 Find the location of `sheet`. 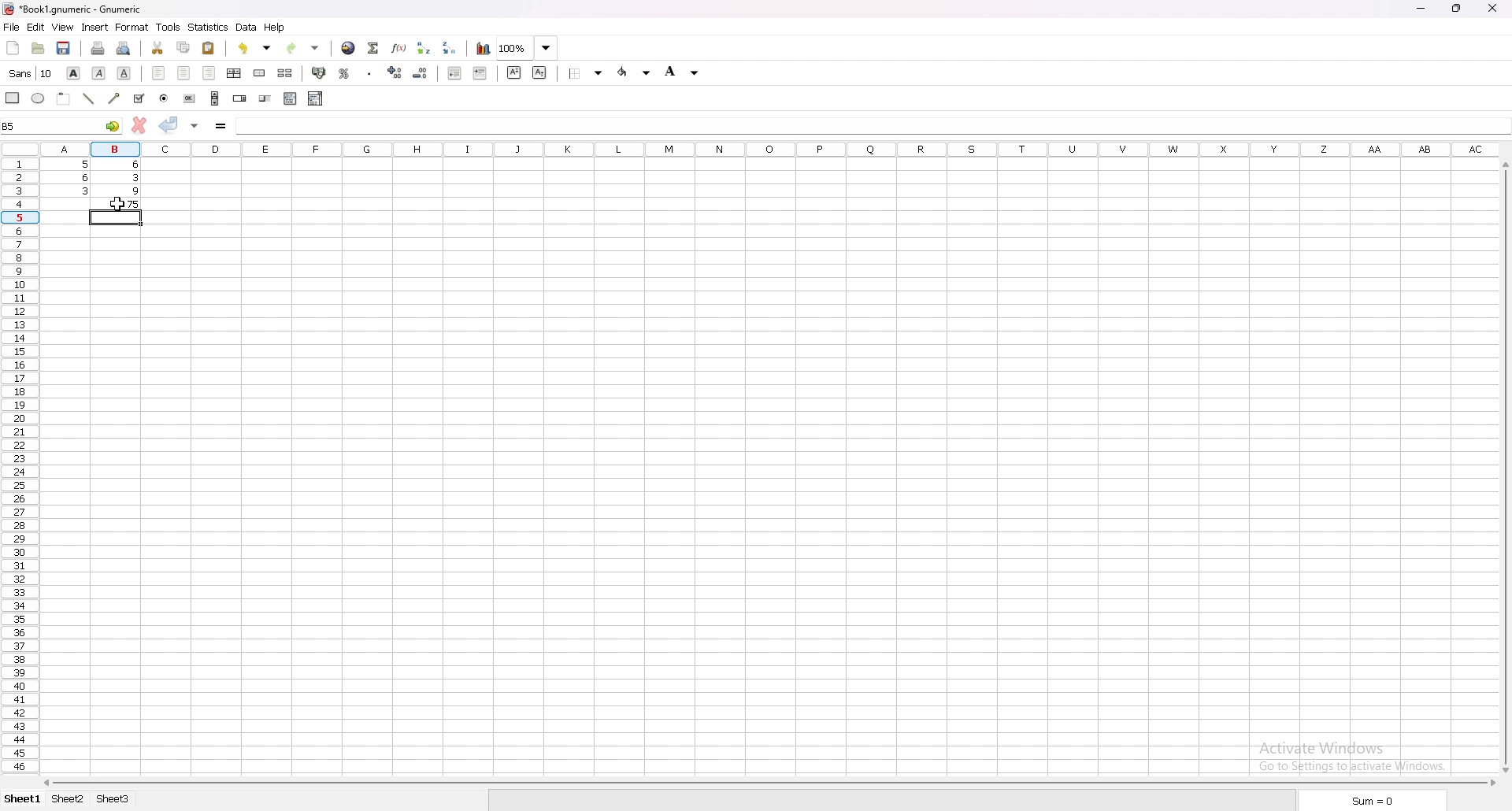

sheet is located at coordinates (69, 799).